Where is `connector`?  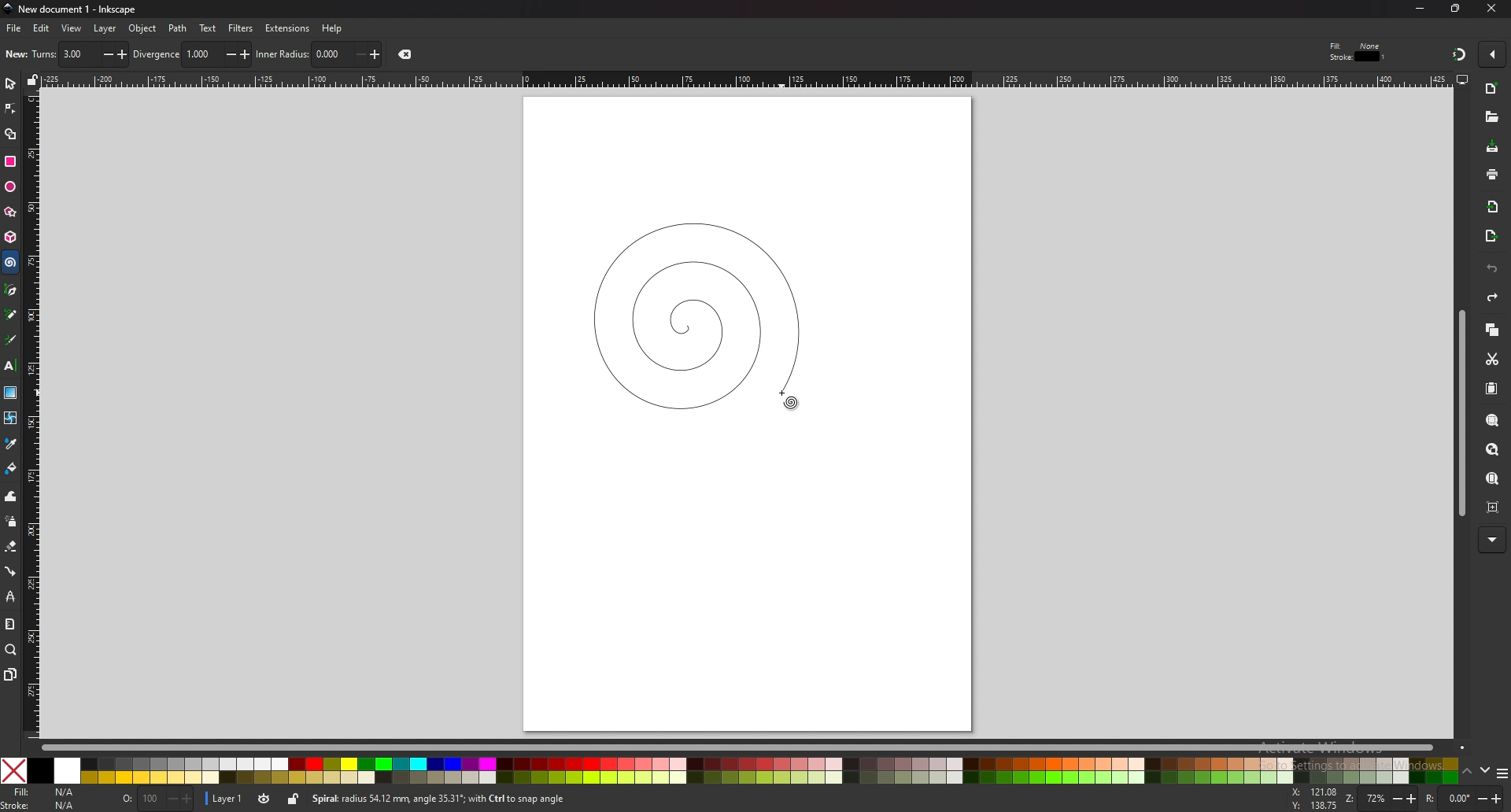 connector is located at coordinates (10, 572).